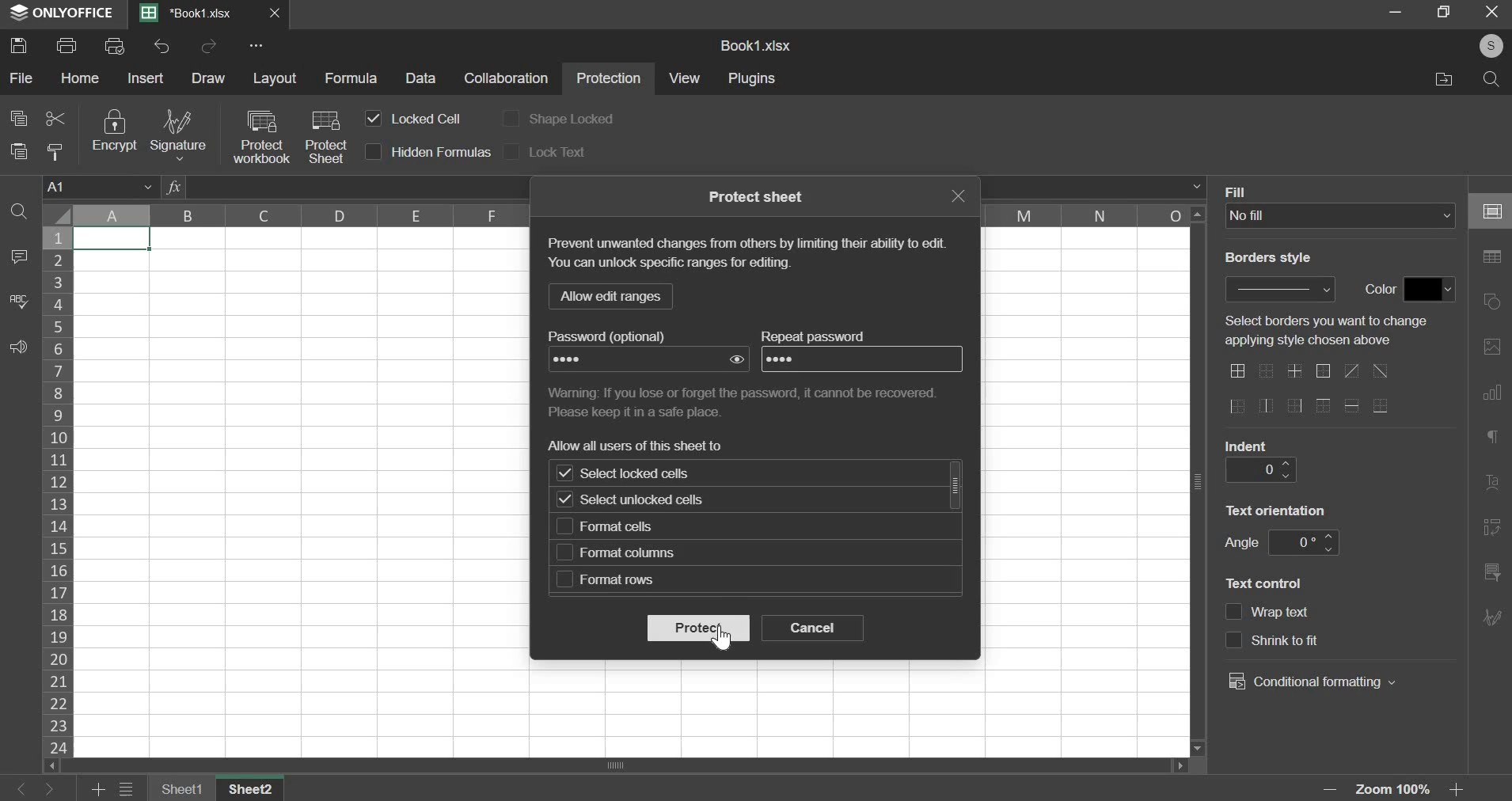 The height and width of the screenshot is (801, 1512). I want to click on selected cell, so click(112, 239).